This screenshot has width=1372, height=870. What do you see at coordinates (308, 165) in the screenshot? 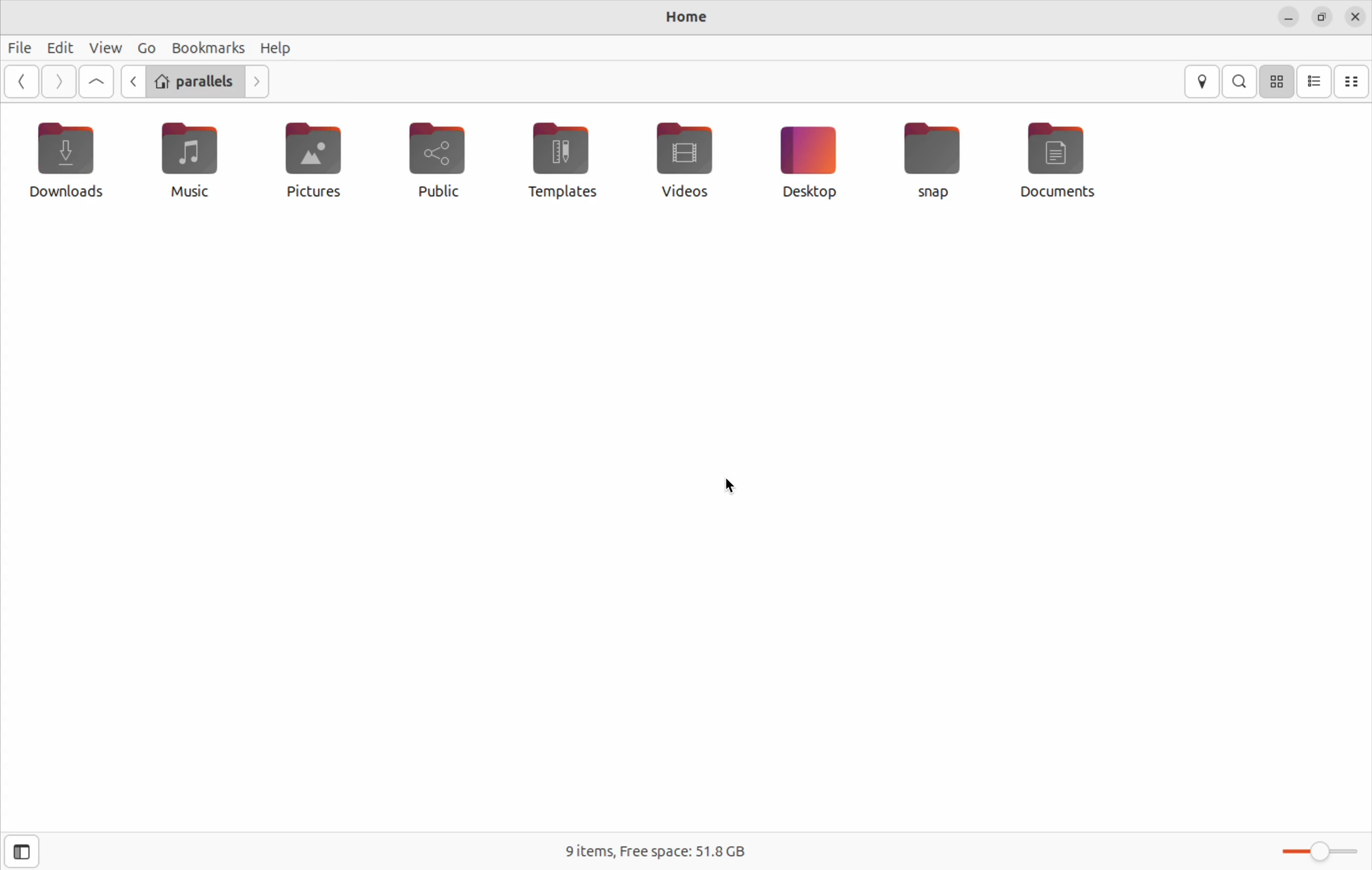
I see `pictures` at bounding box center [308, 165].